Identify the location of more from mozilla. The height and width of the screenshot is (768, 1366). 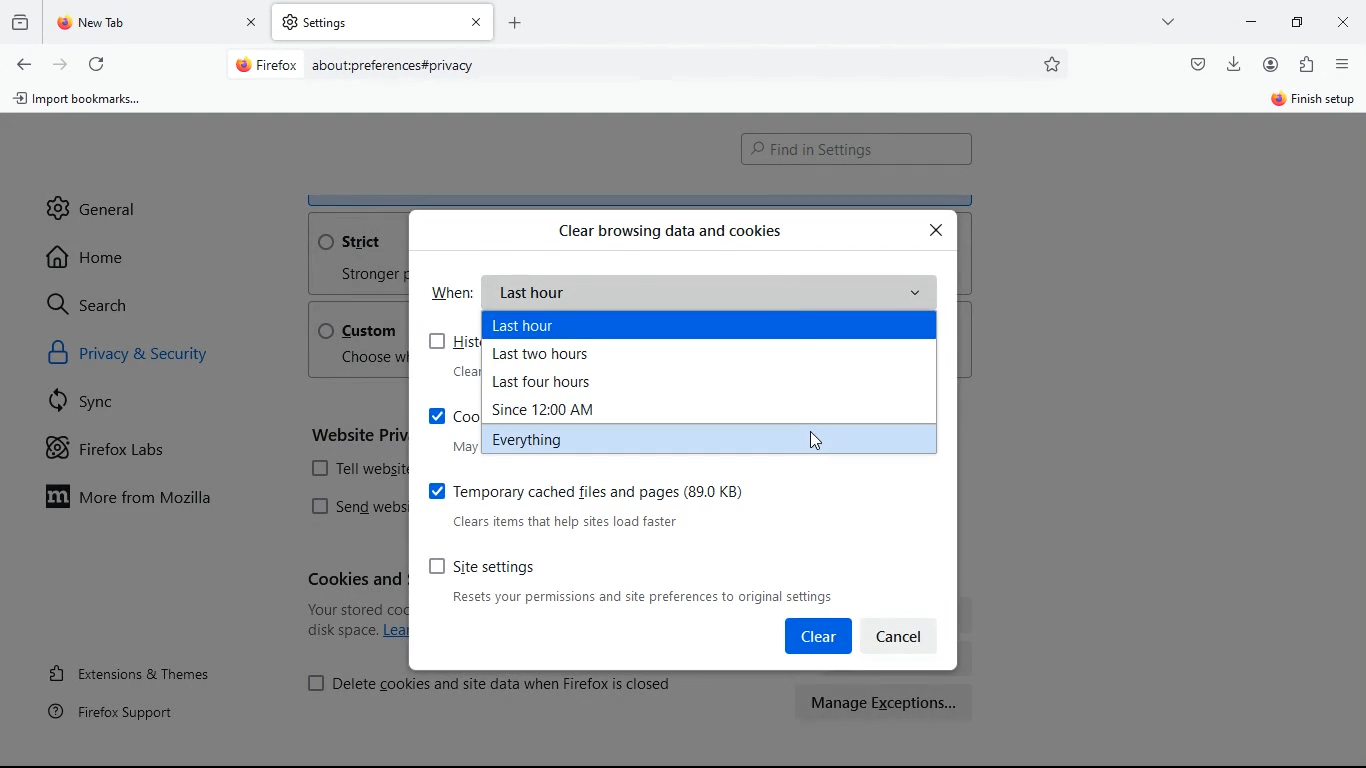
(146, 500).